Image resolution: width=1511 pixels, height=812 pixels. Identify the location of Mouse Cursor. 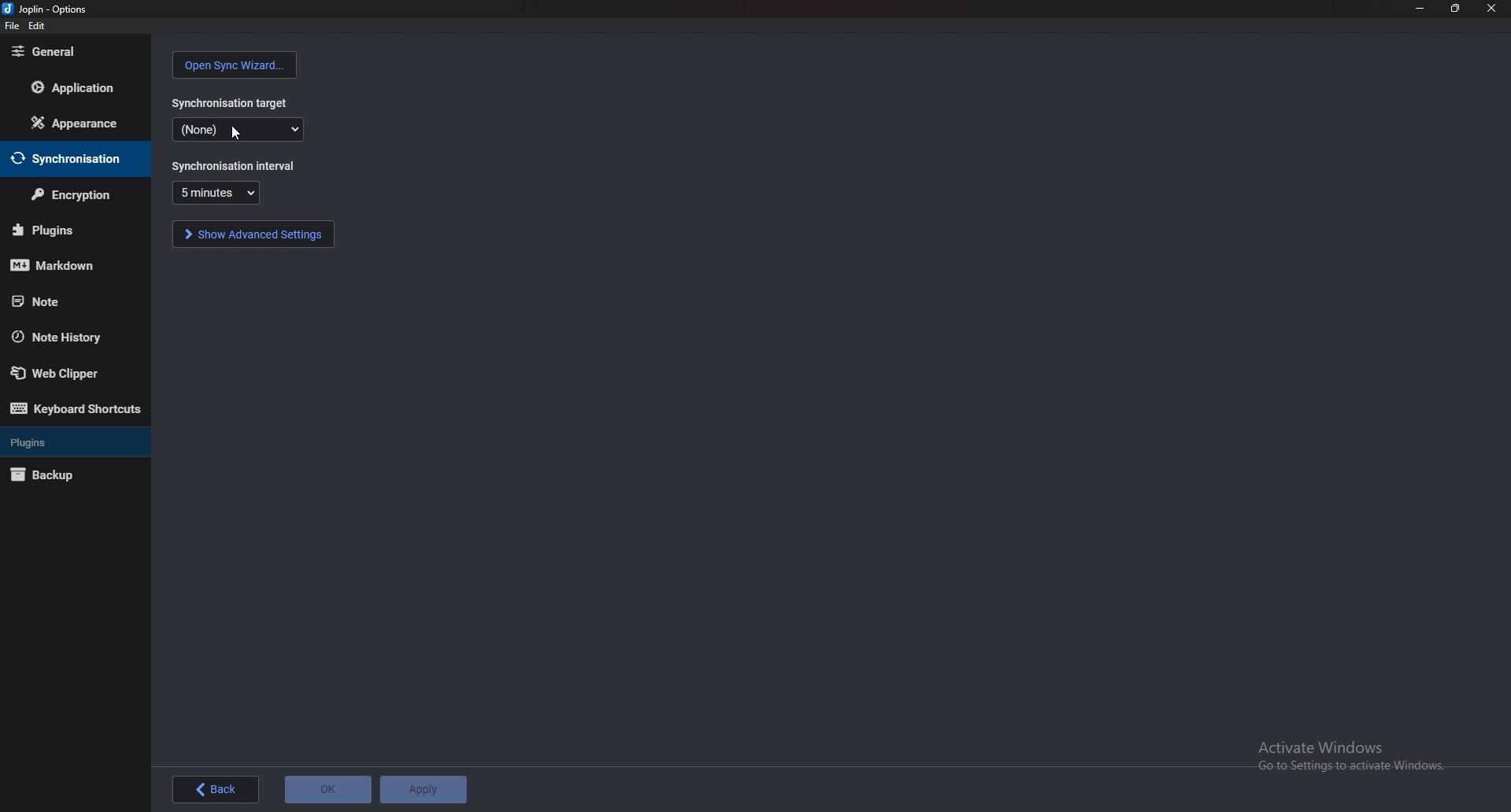
(237, 134).